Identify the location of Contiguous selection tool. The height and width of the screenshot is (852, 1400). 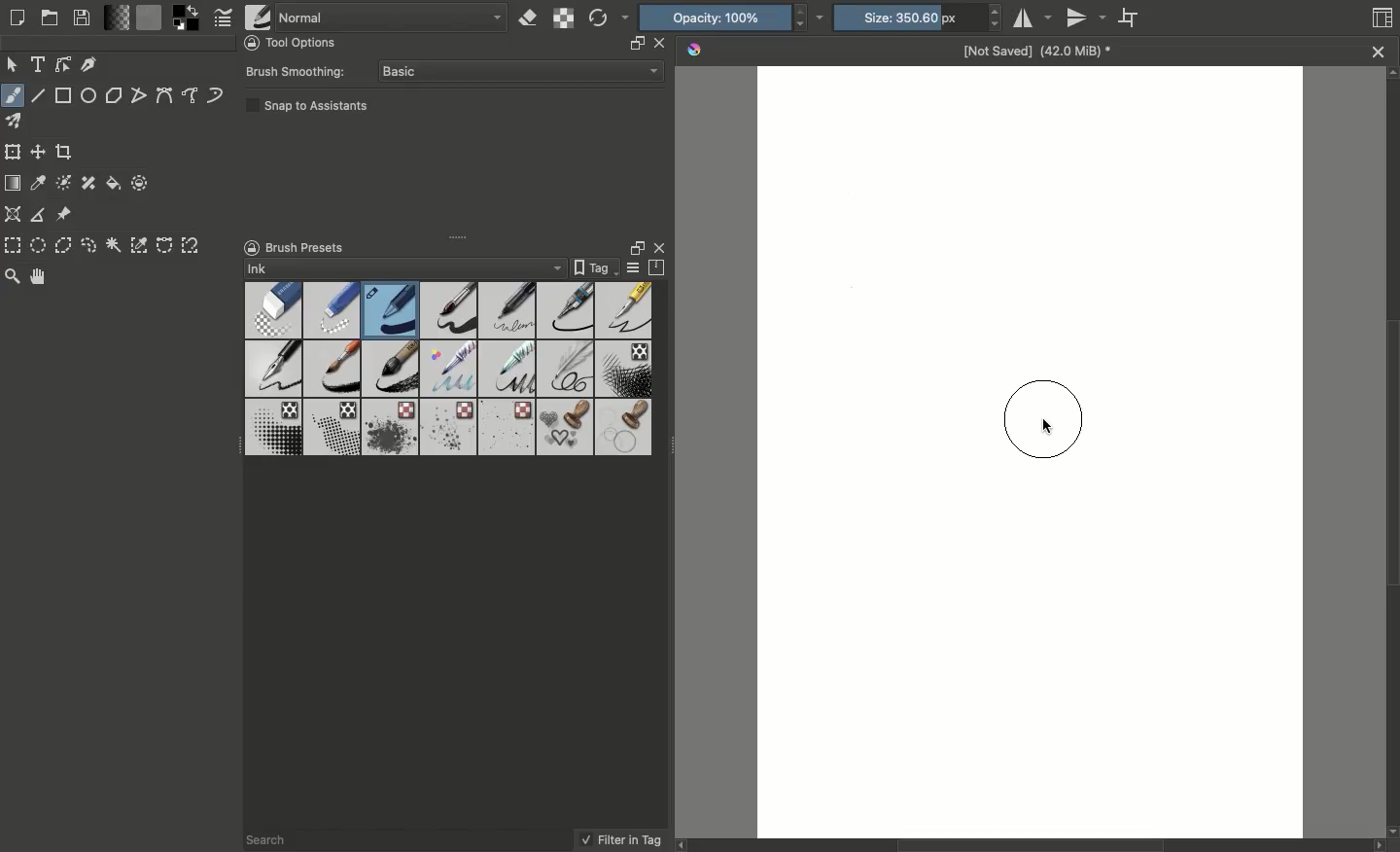
(115, 247).